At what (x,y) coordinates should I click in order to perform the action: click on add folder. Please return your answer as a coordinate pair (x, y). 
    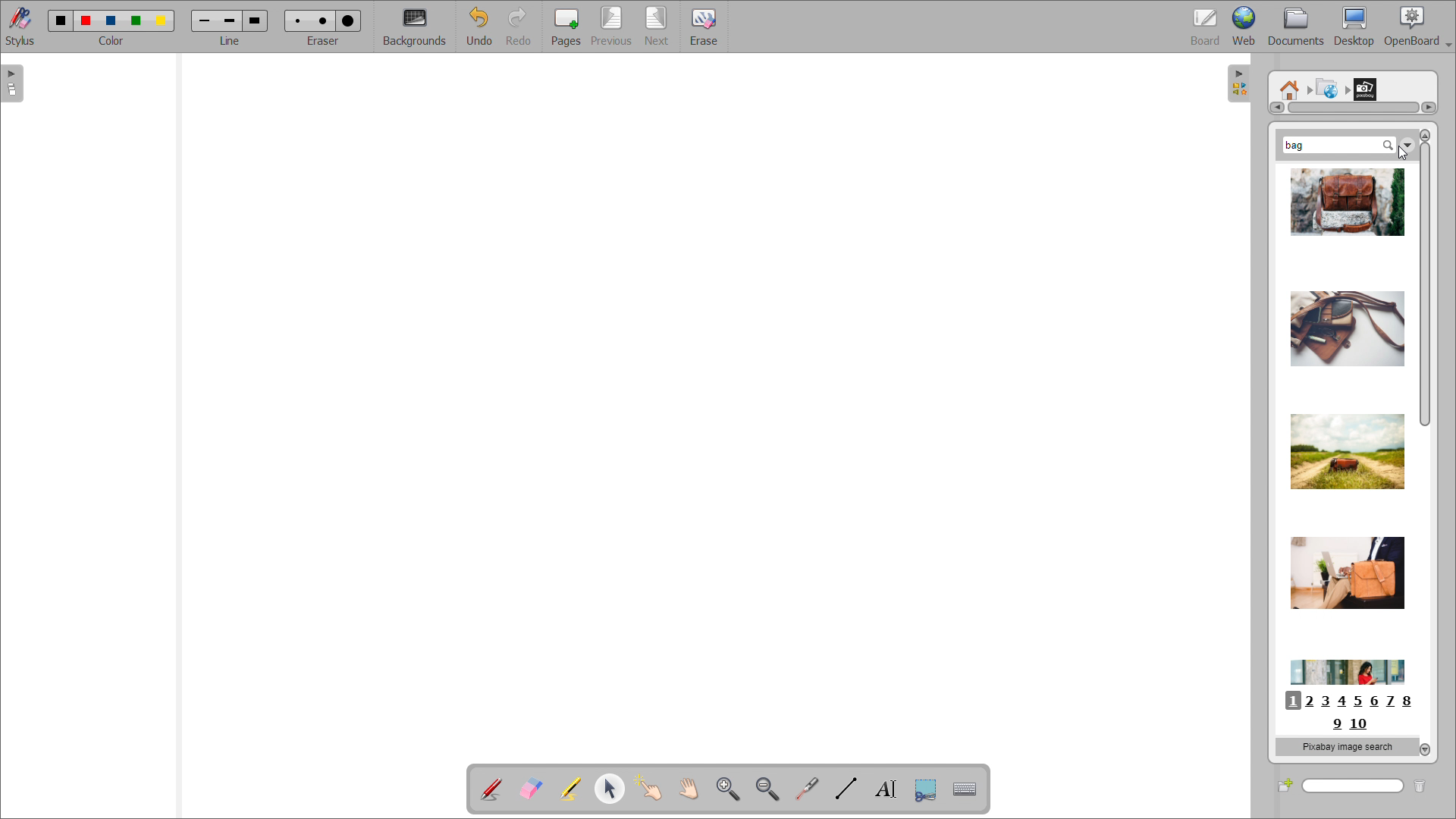
    Looking at the image, I should click on (1285, 785).